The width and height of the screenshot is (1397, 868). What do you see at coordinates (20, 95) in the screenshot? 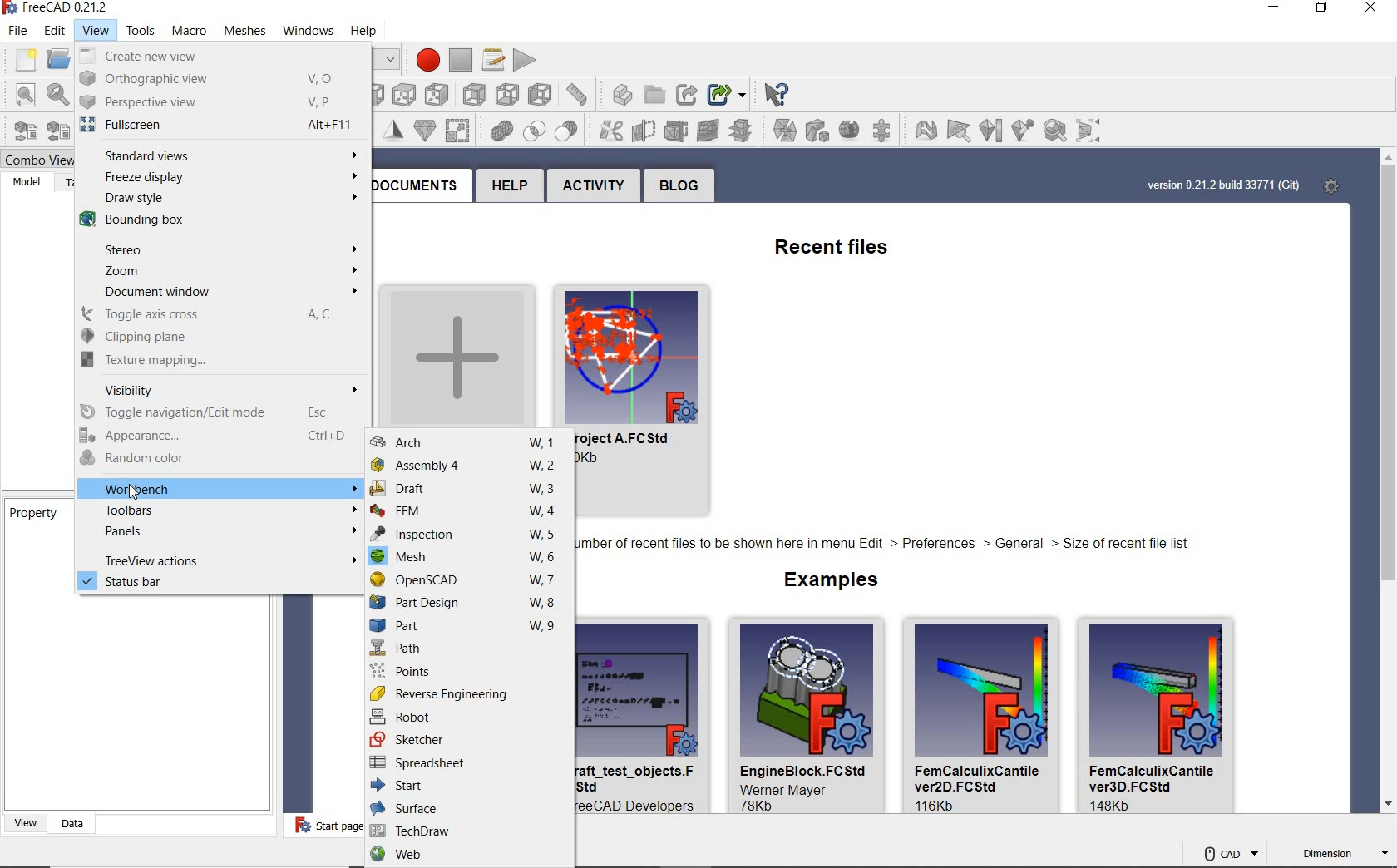
I see `fit all` at bounding box center [20, 95].